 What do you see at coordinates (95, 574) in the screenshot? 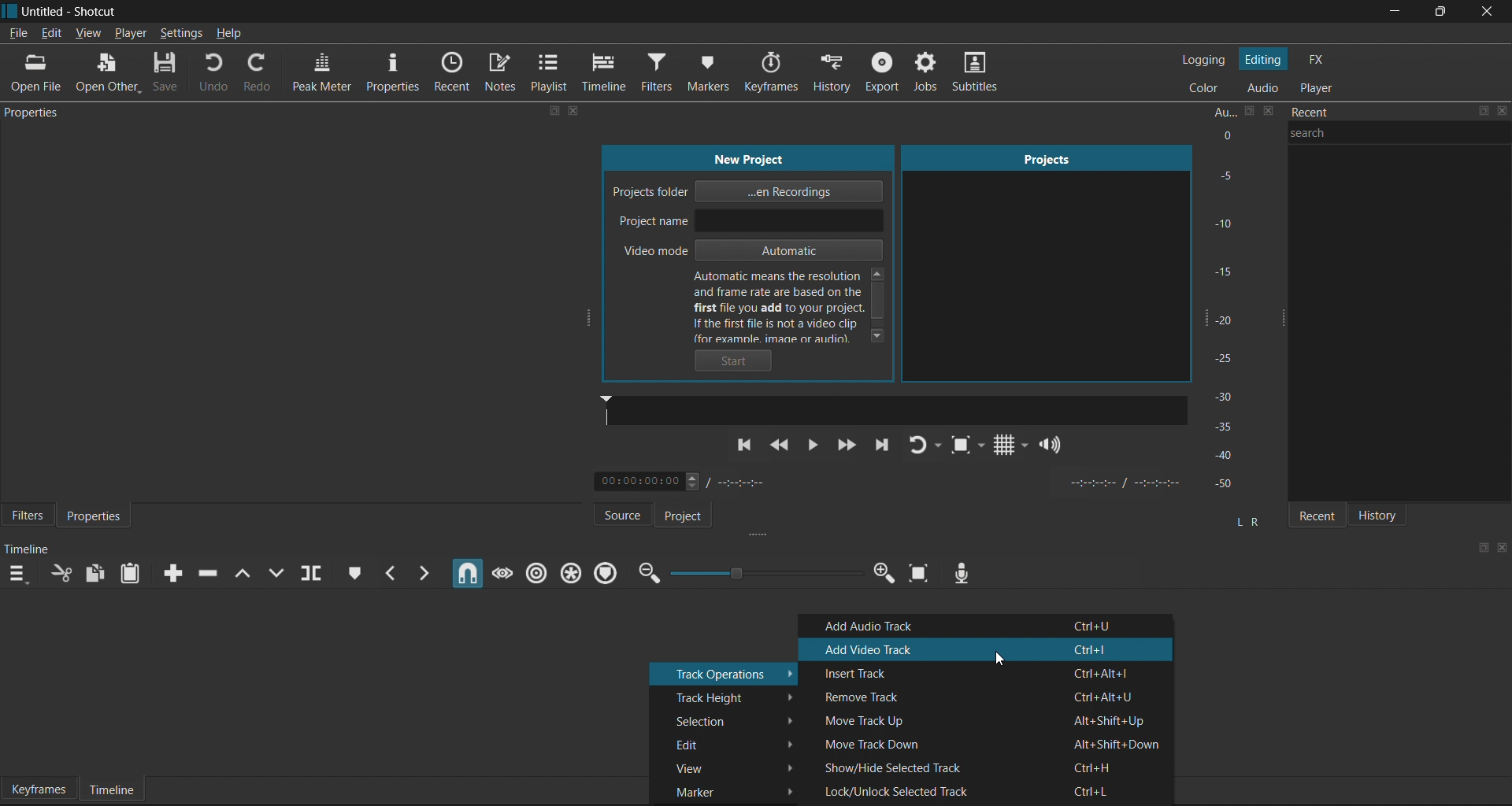
I see `Copy` at bounding box center [95, 574].